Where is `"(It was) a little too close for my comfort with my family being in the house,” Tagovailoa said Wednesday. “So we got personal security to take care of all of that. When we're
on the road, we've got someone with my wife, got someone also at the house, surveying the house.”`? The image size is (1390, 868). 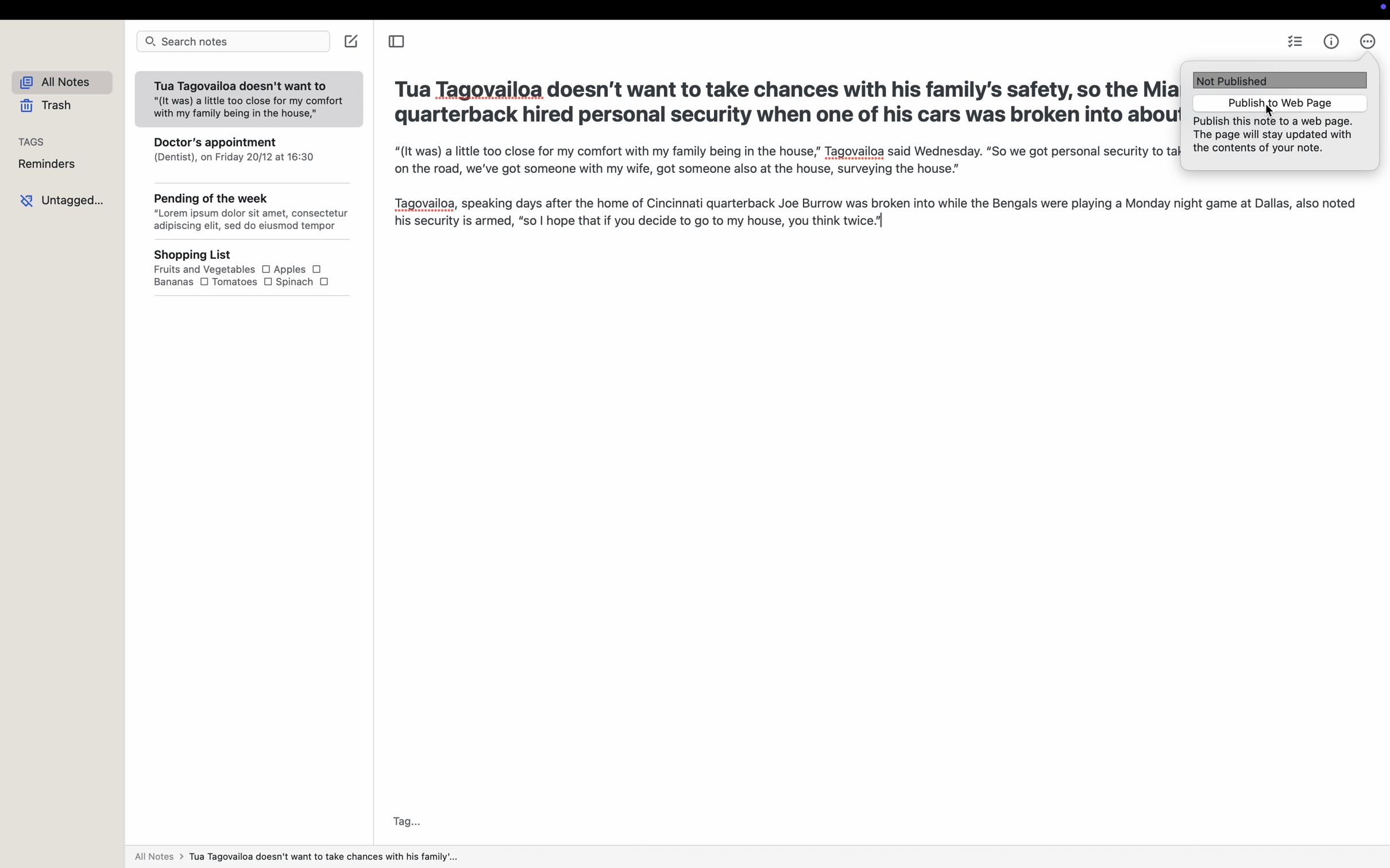
"(It was) a little too close for my comfort with my family being in the house,” Tagovailoa said Wednesday. “So we got personal security to take care of all of that. When we're
on the road, we've got someone with my wife, got someone also at the house, surveying the house.” is located at coordinates (782, 160).